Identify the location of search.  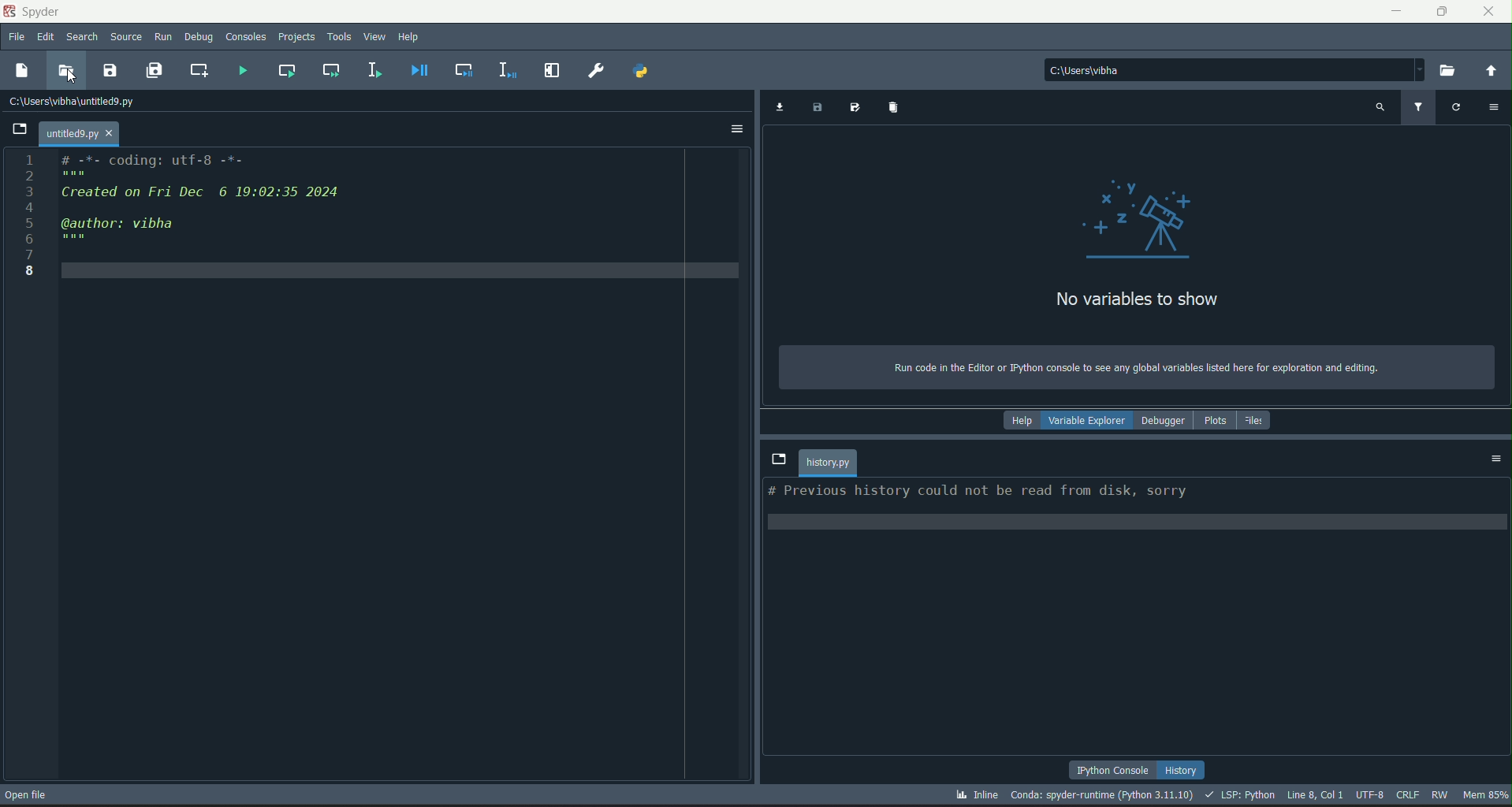
(84, 38).